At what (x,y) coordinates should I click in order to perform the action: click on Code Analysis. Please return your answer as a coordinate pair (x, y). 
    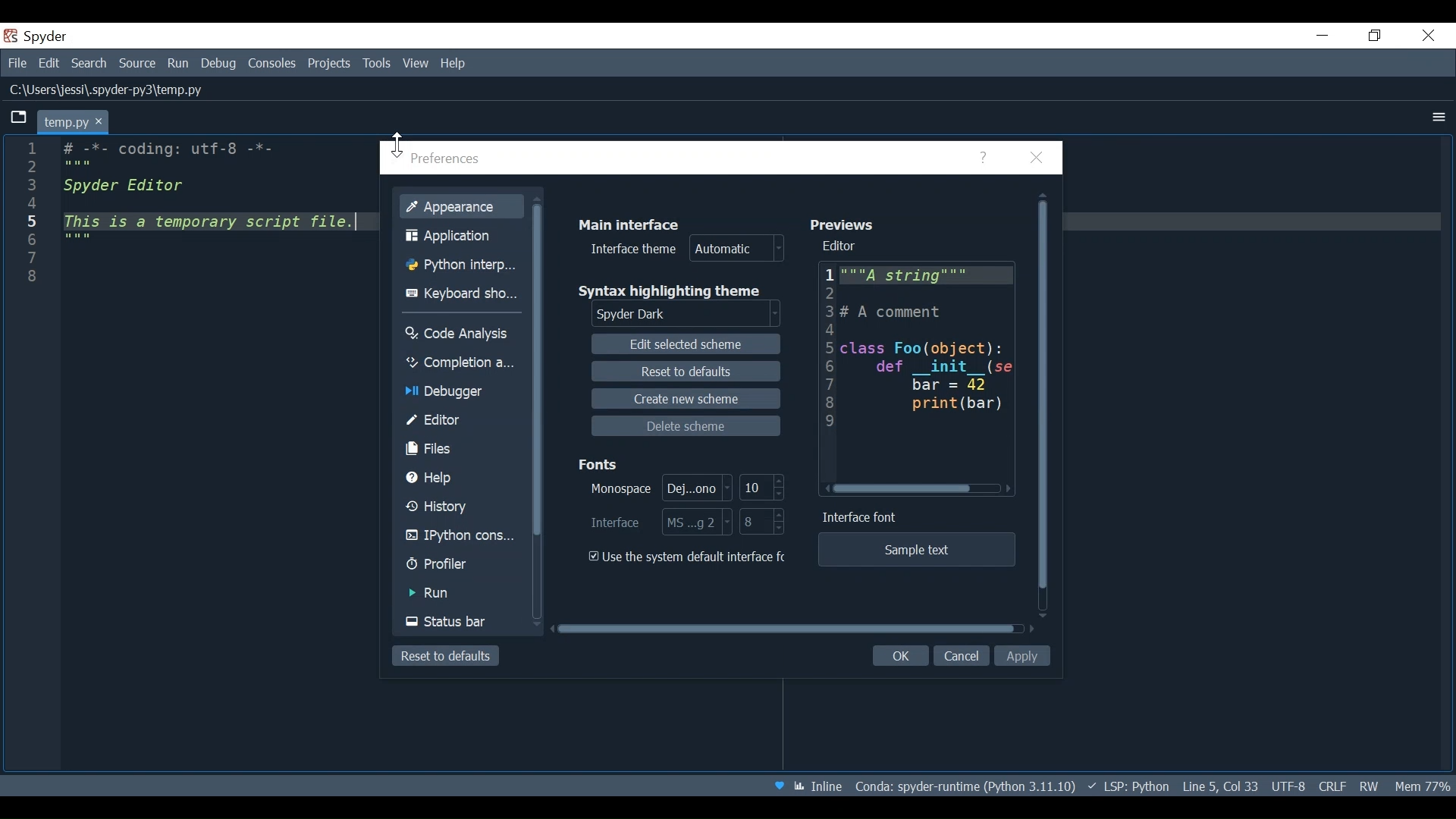
    Looking at the image, I should click on (461, 334).